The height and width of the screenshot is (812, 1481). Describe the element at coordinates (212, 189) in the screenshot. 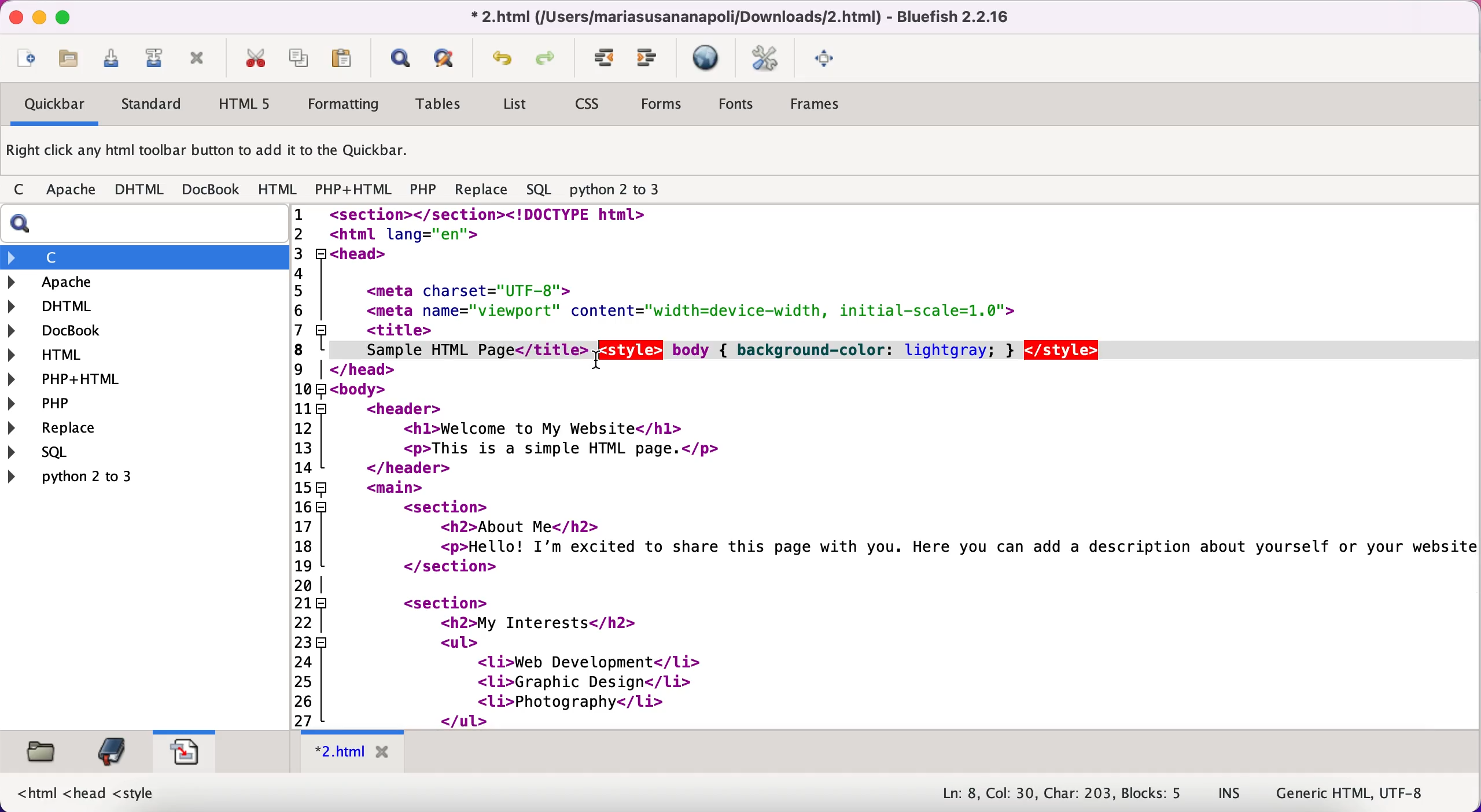

I see `docbook` at that location.